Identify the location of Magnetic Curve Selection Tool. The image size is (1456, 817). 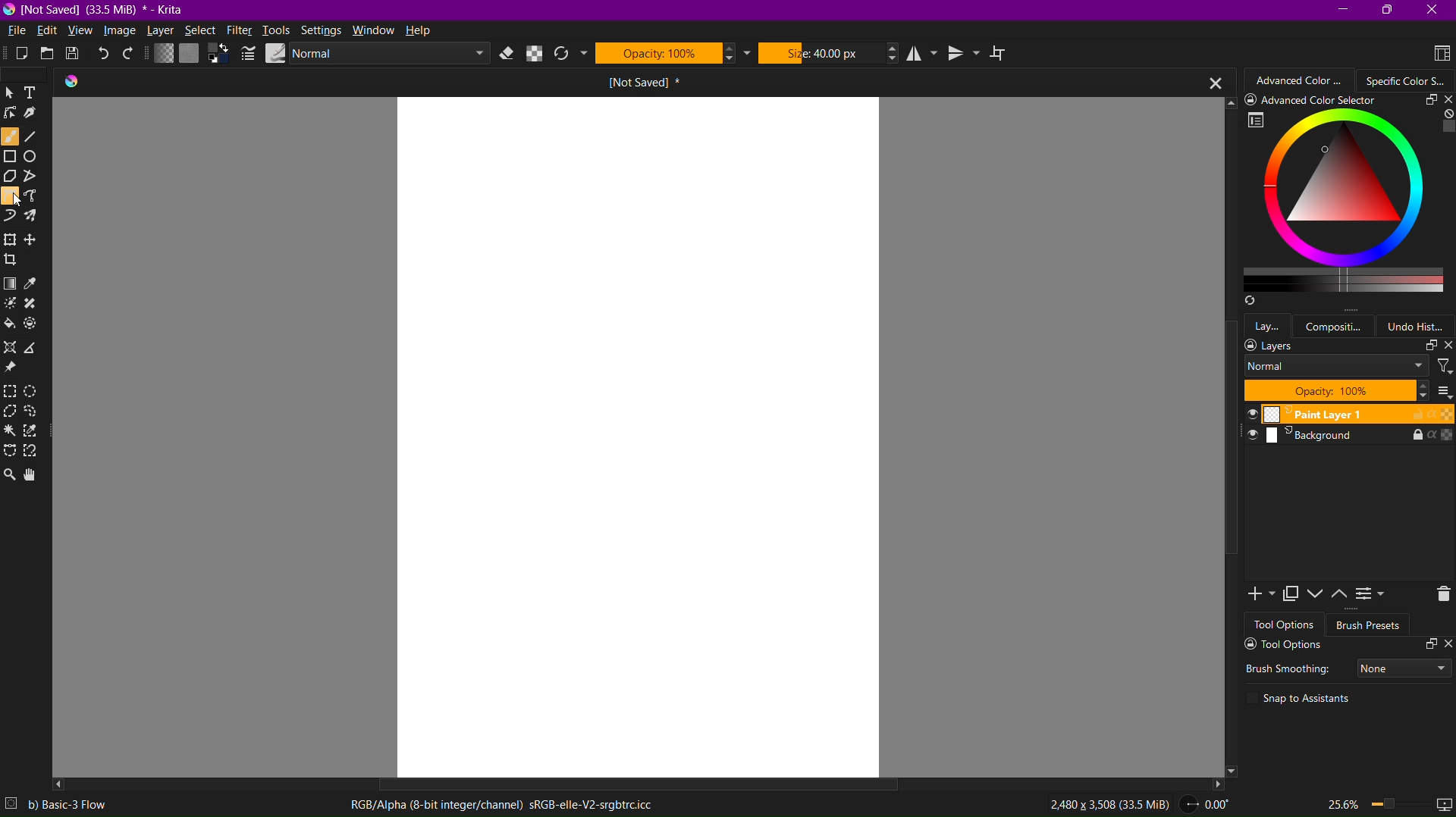
(35, 452).